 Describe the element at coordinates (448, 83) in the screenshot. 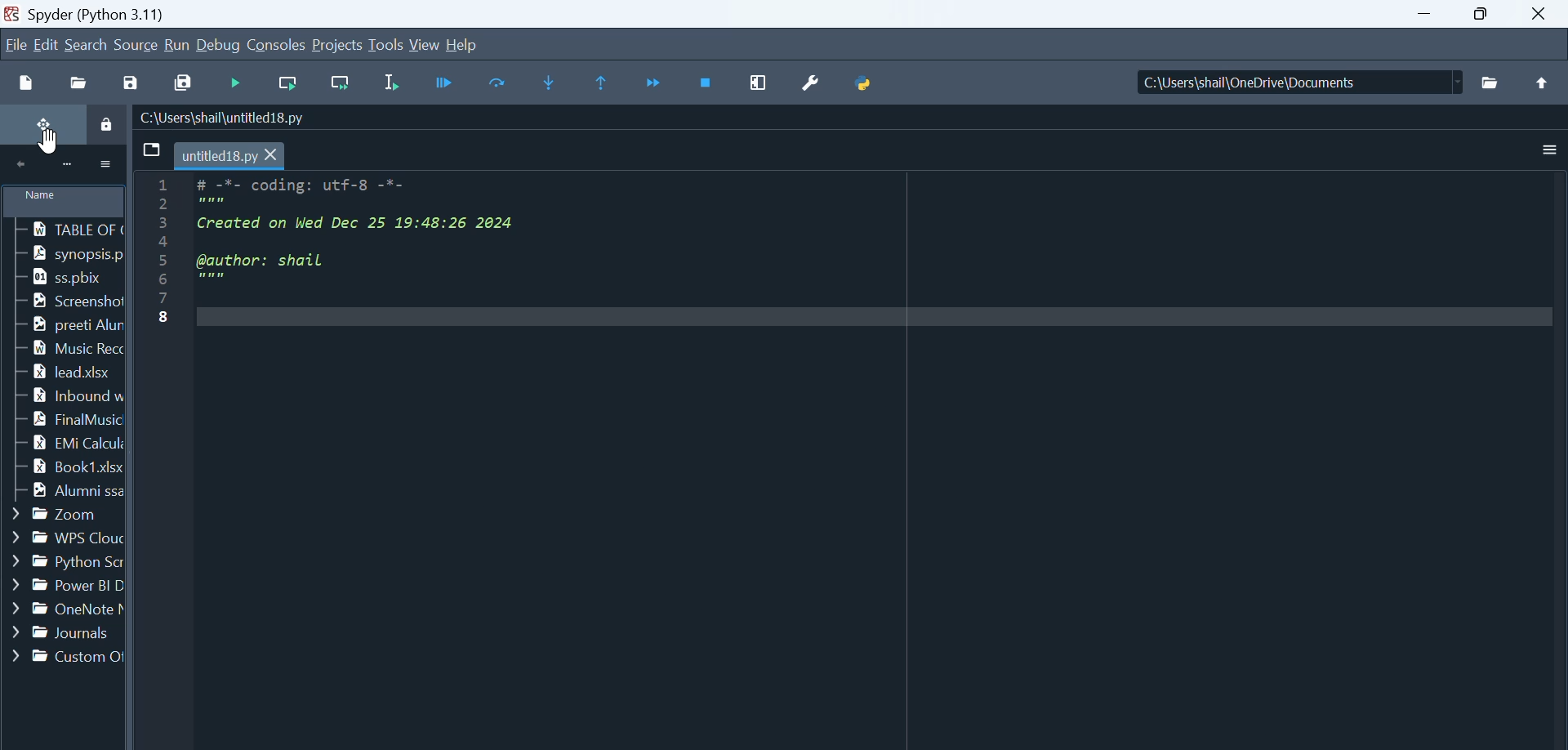

I see `Debugger` at that location.